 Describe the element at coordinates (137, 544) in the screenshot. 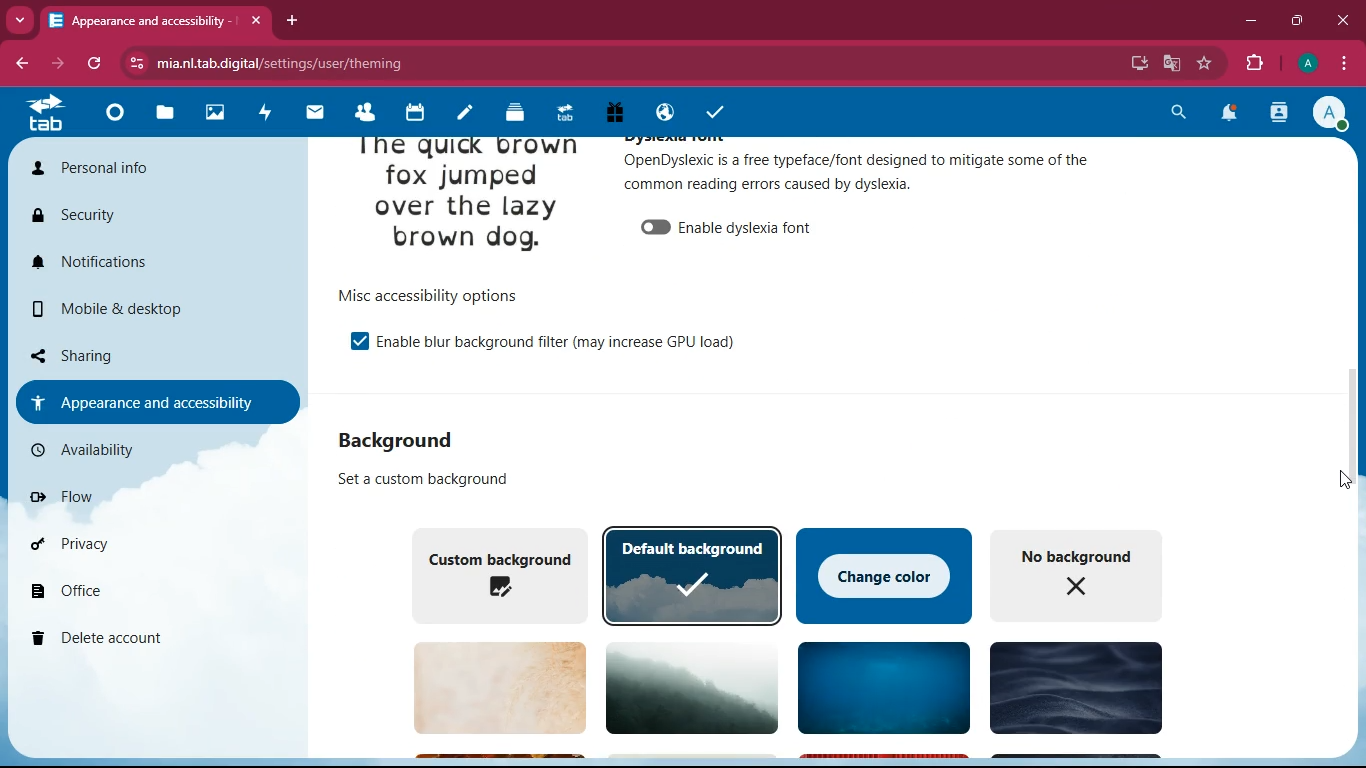

I see `privacy` at that location.